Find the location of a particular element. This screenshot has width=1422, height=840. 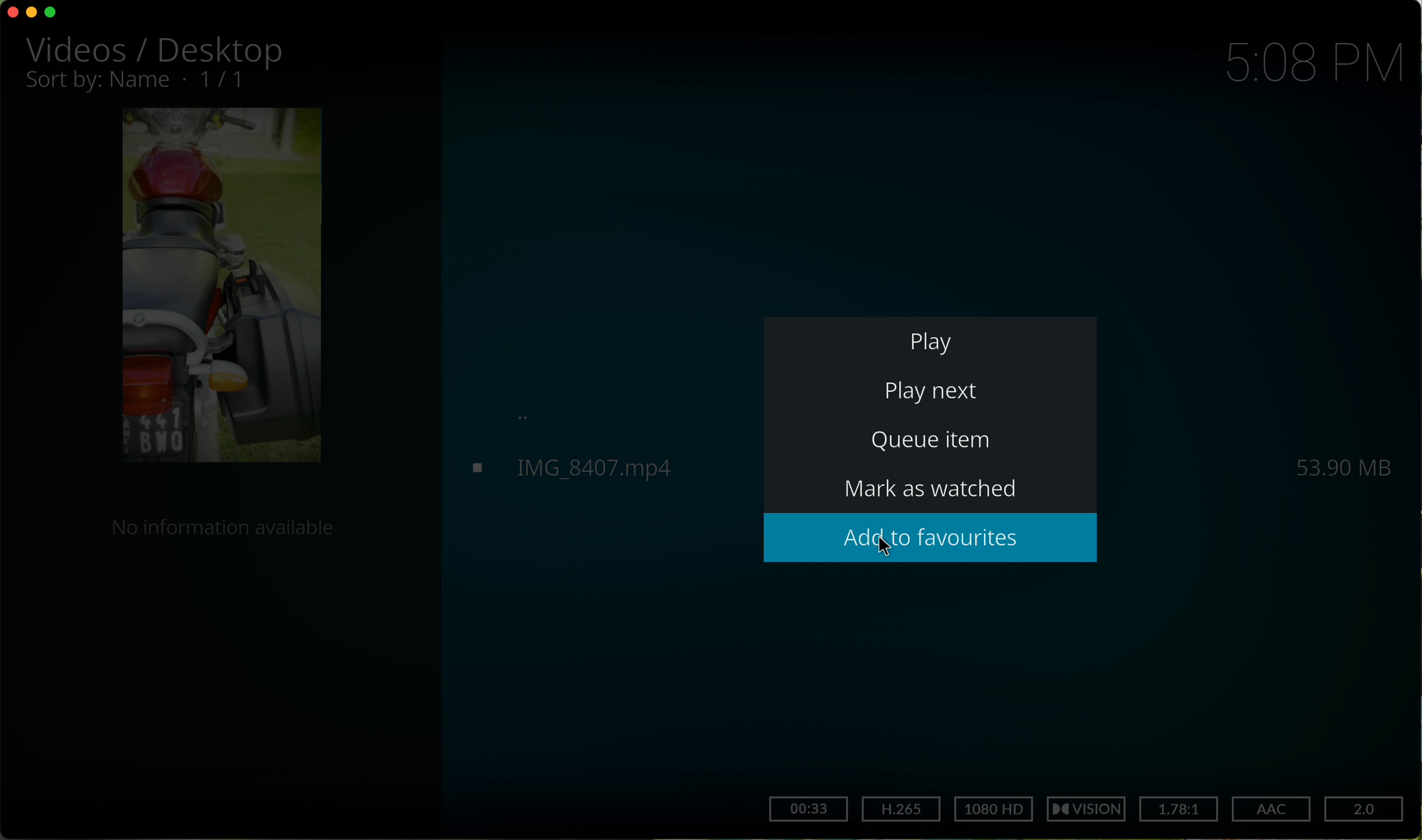

no information available is located at coordinates (222, 530).